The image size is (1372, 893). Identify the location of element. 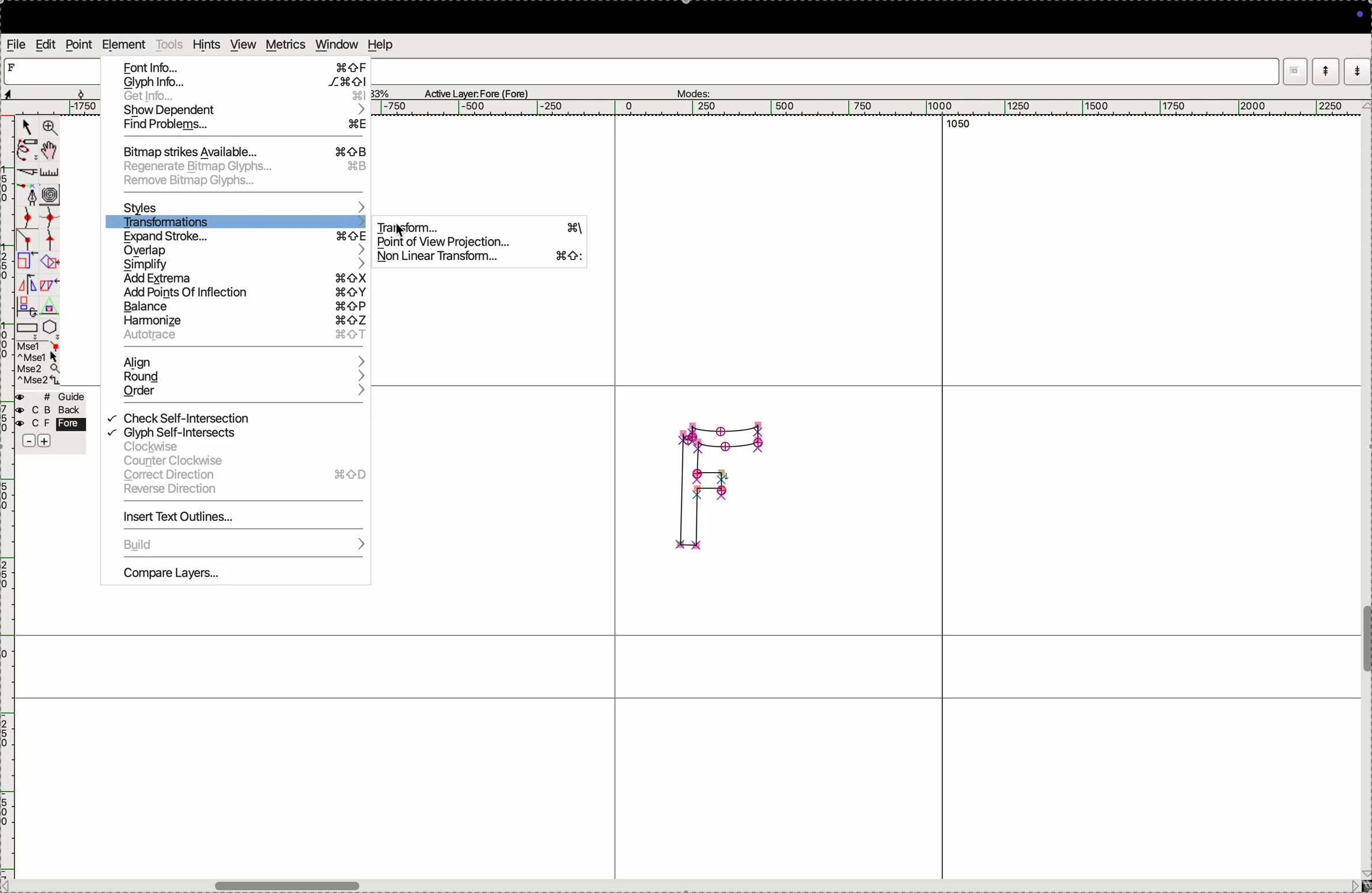
(123, 44).